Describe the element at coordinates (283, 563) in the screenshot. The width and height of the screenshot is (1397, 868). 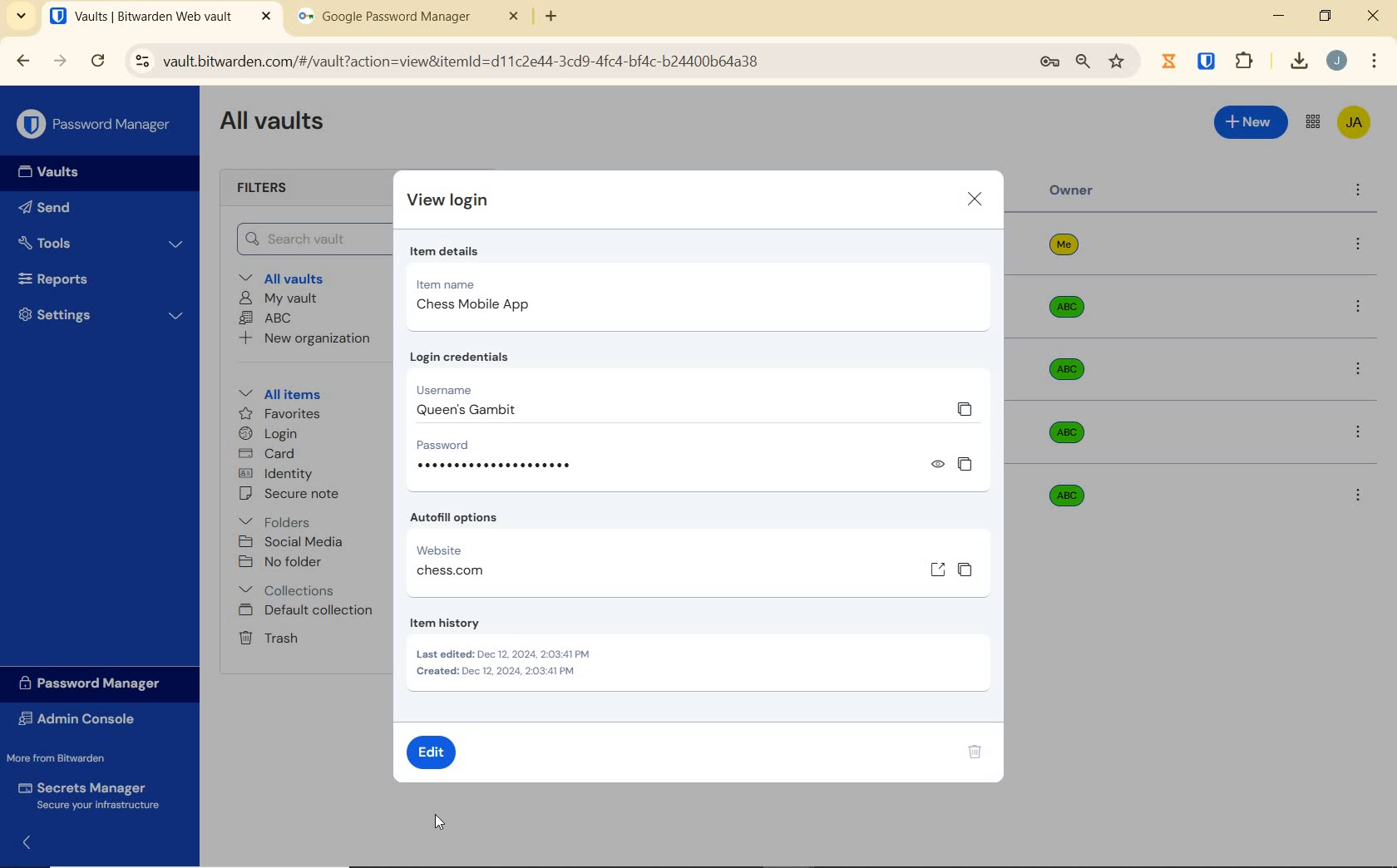
I see `No folder` at that location.